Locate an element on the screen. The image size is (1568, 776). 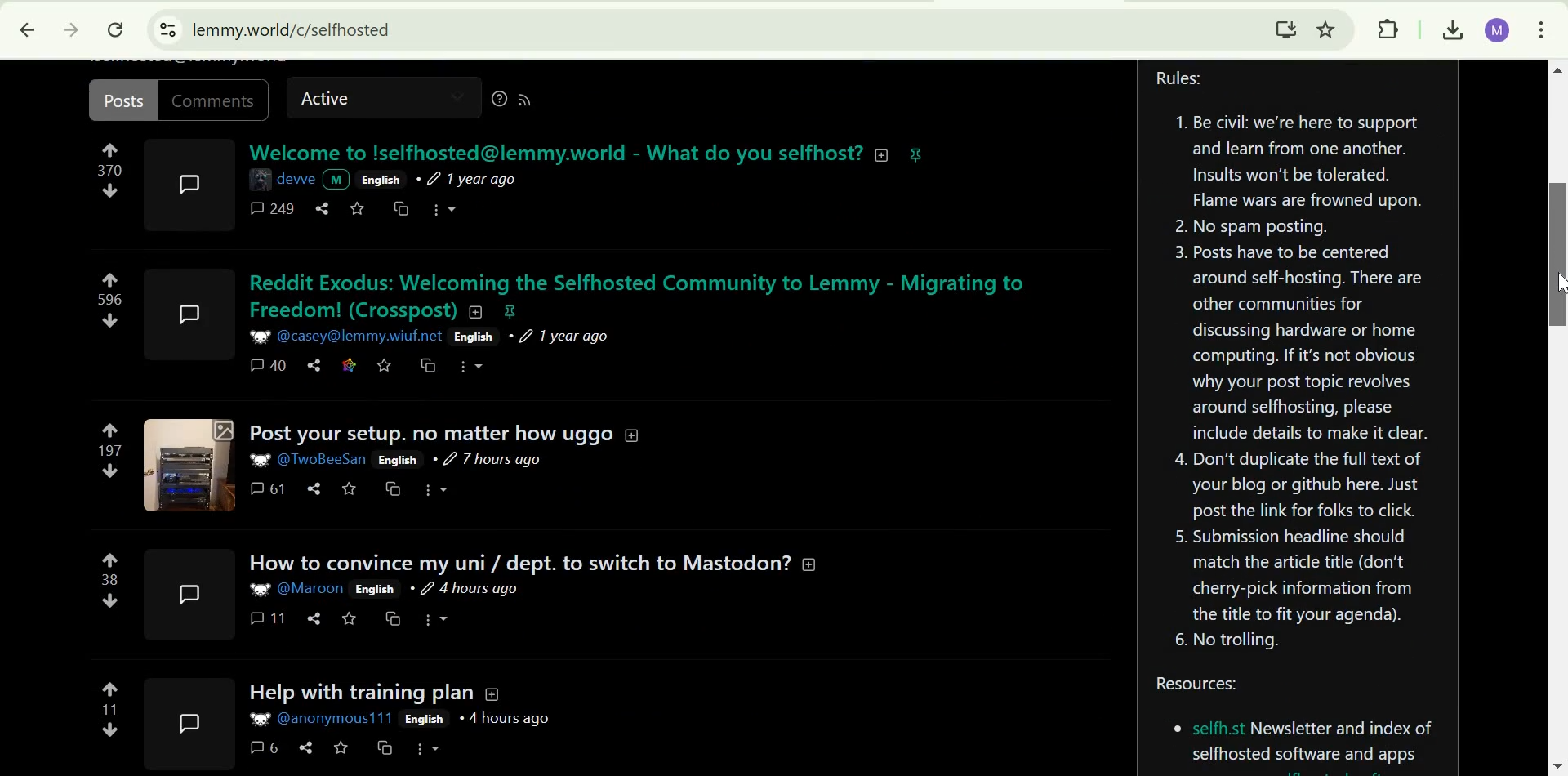
picture is located at coordinates (259, 335).